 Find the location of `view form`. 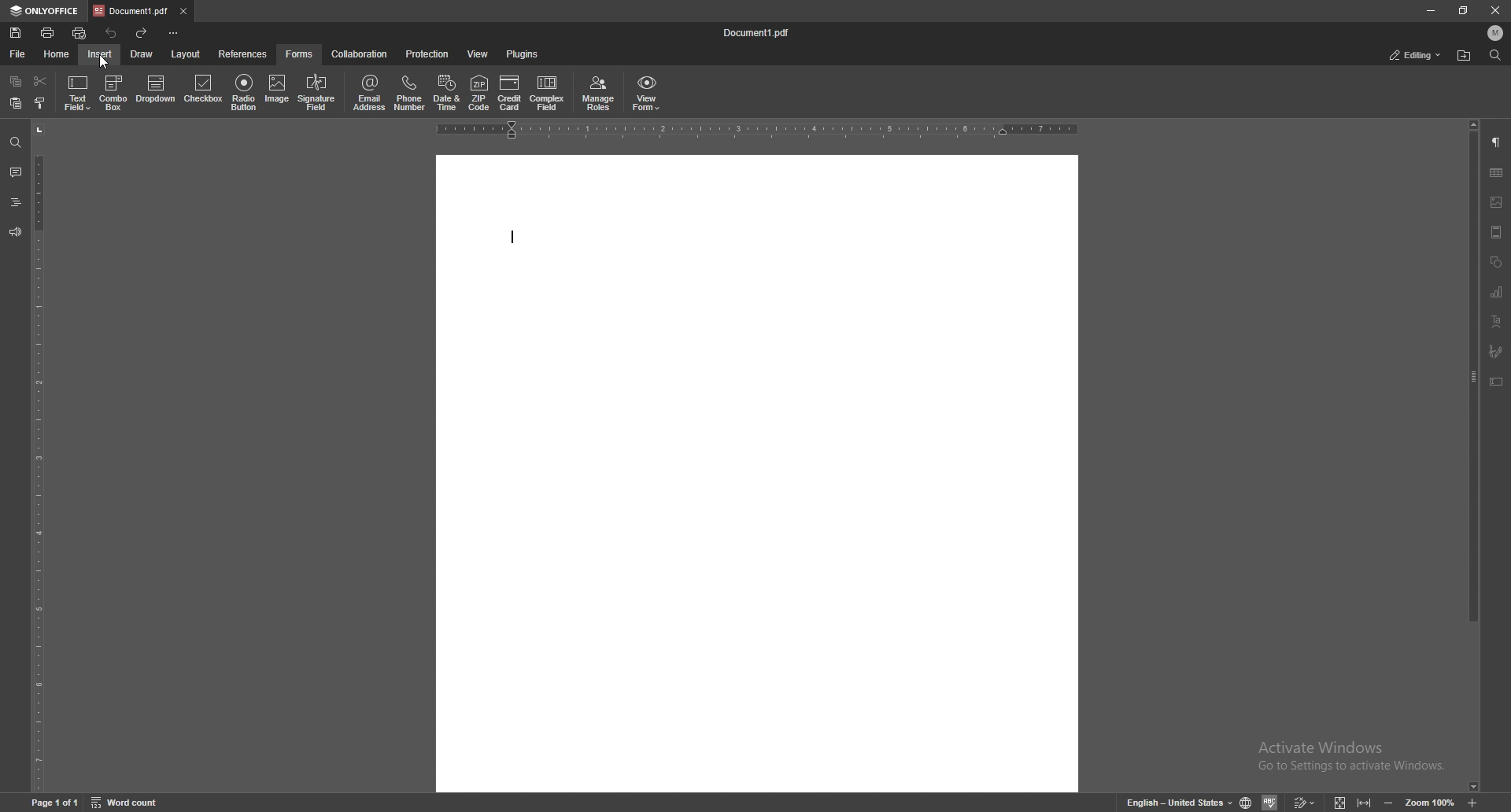

view form is located at coordinates (648, 94).